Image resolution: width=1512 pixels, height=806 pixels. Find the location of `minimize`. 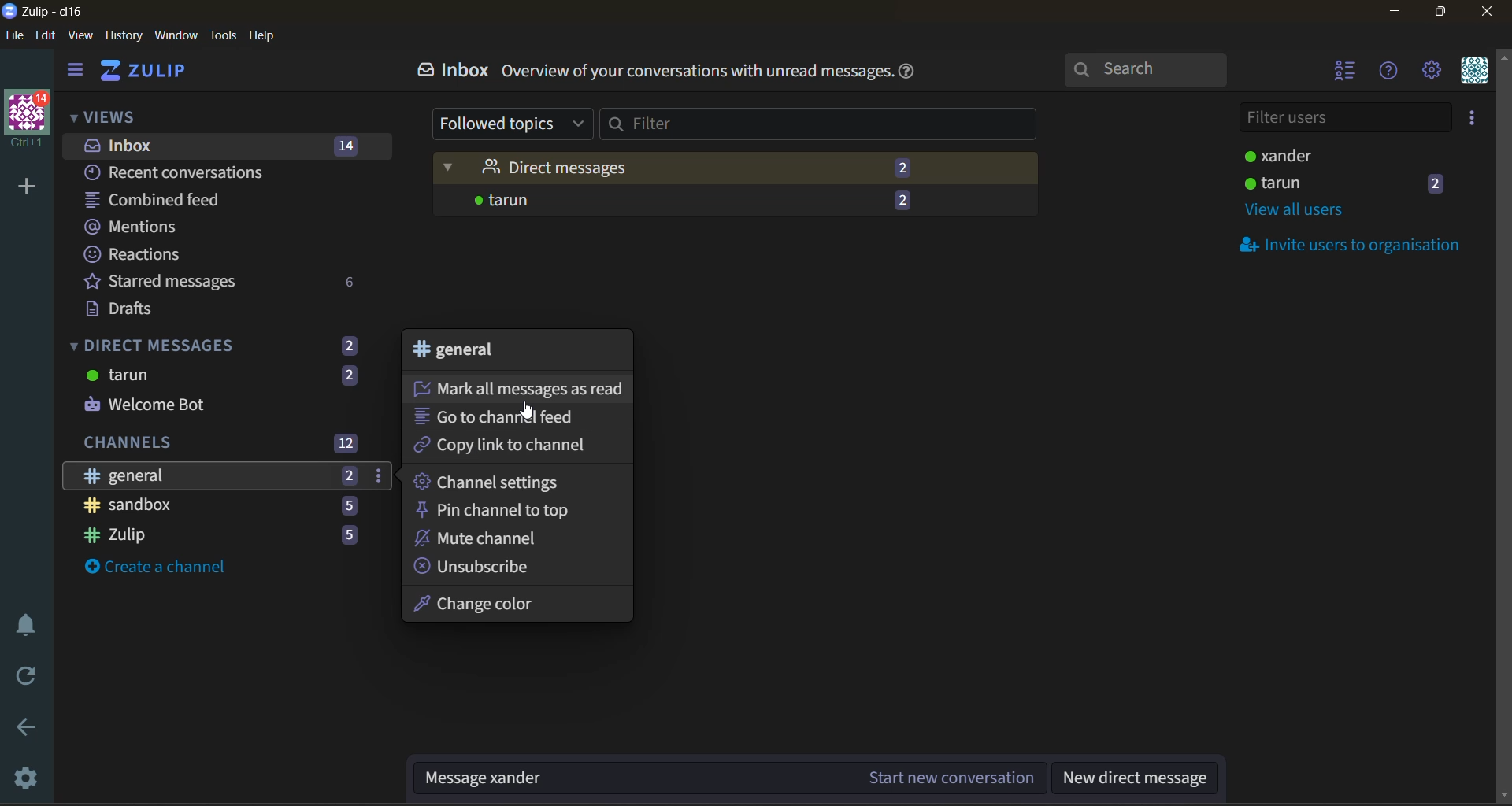

minimize is located at coordinates (1396, 9).